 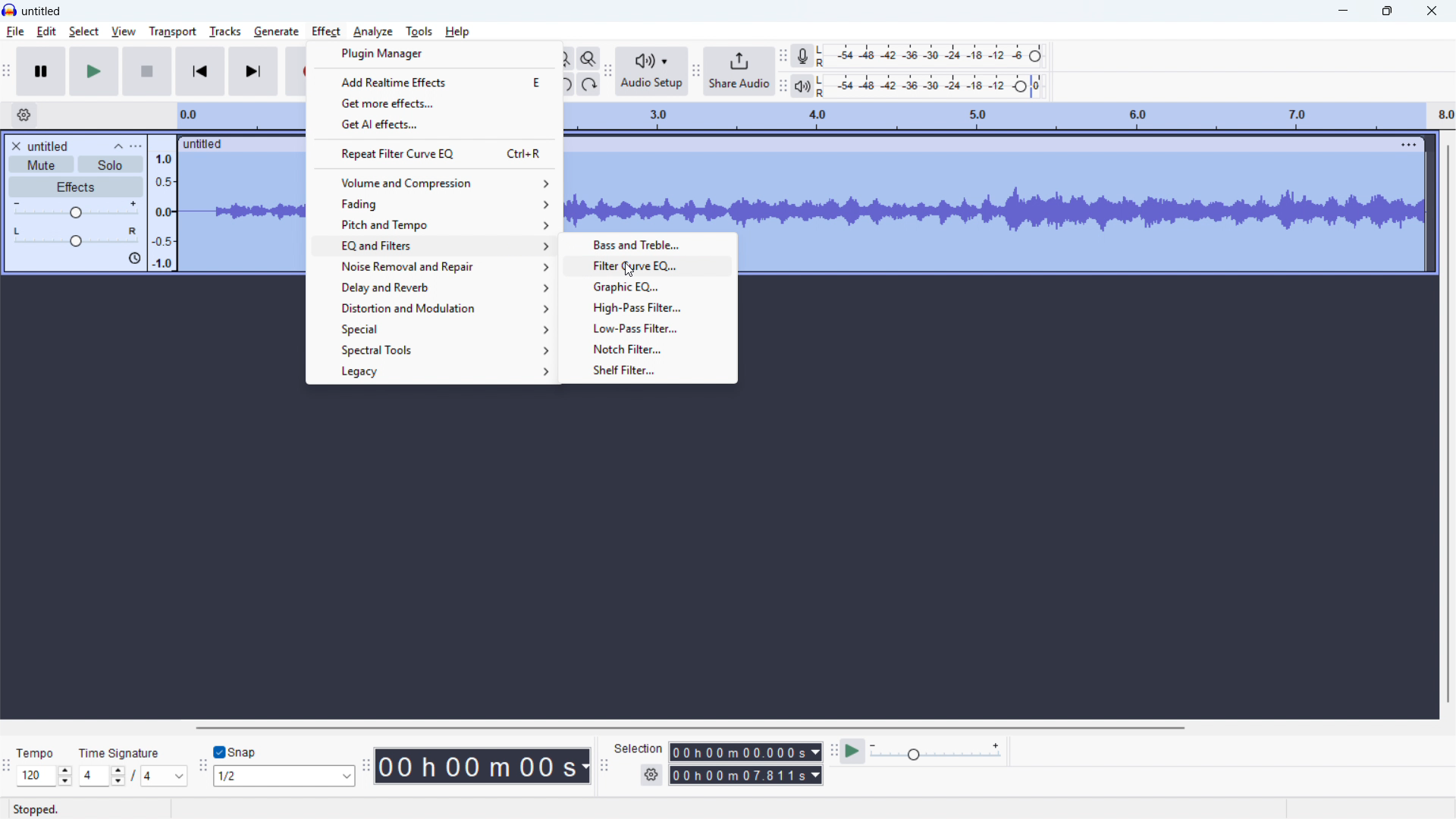 What do you see at coordinates (42, 71) in the screenshot?
I see `pause` at bounding box center [42, 71].